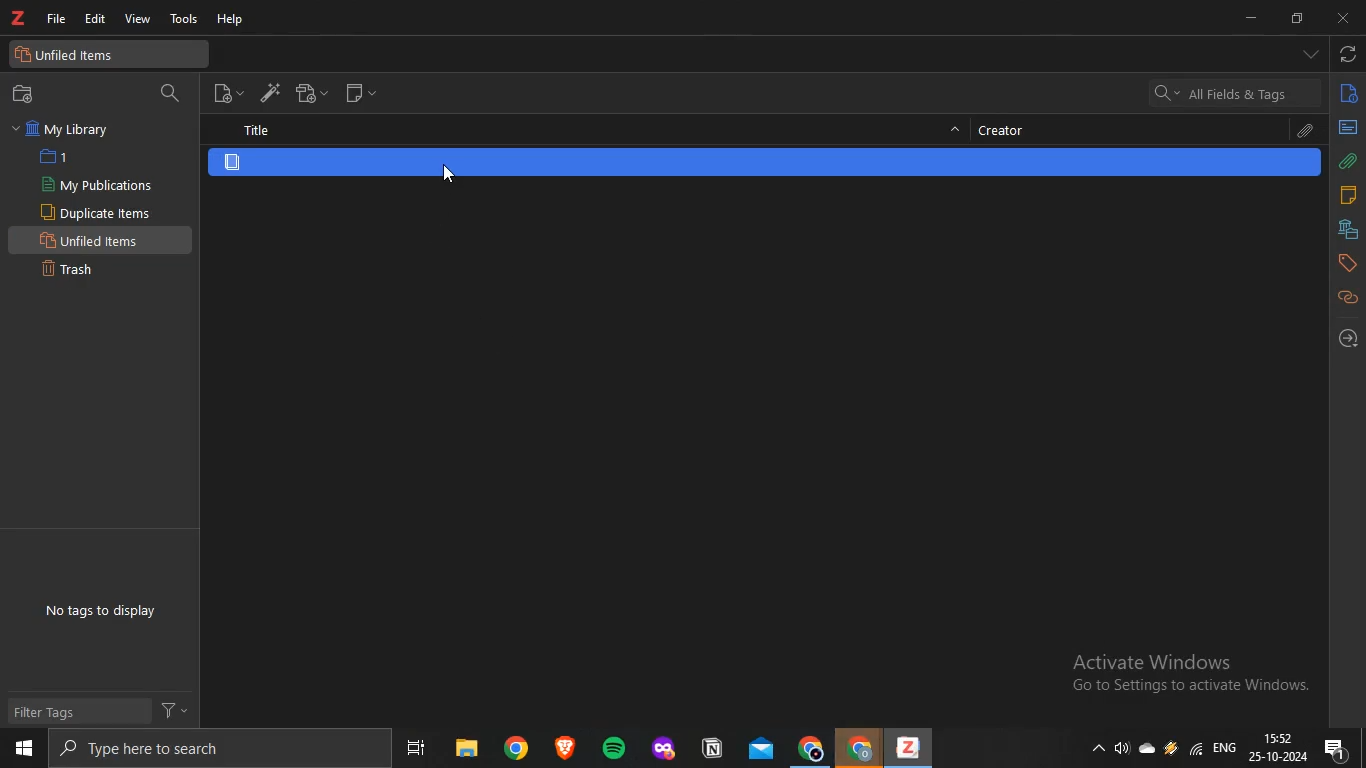  What do you see at coordinates (71, 55) in the screenshot?
I see `unfiled items` at bounding box center [71, 55].